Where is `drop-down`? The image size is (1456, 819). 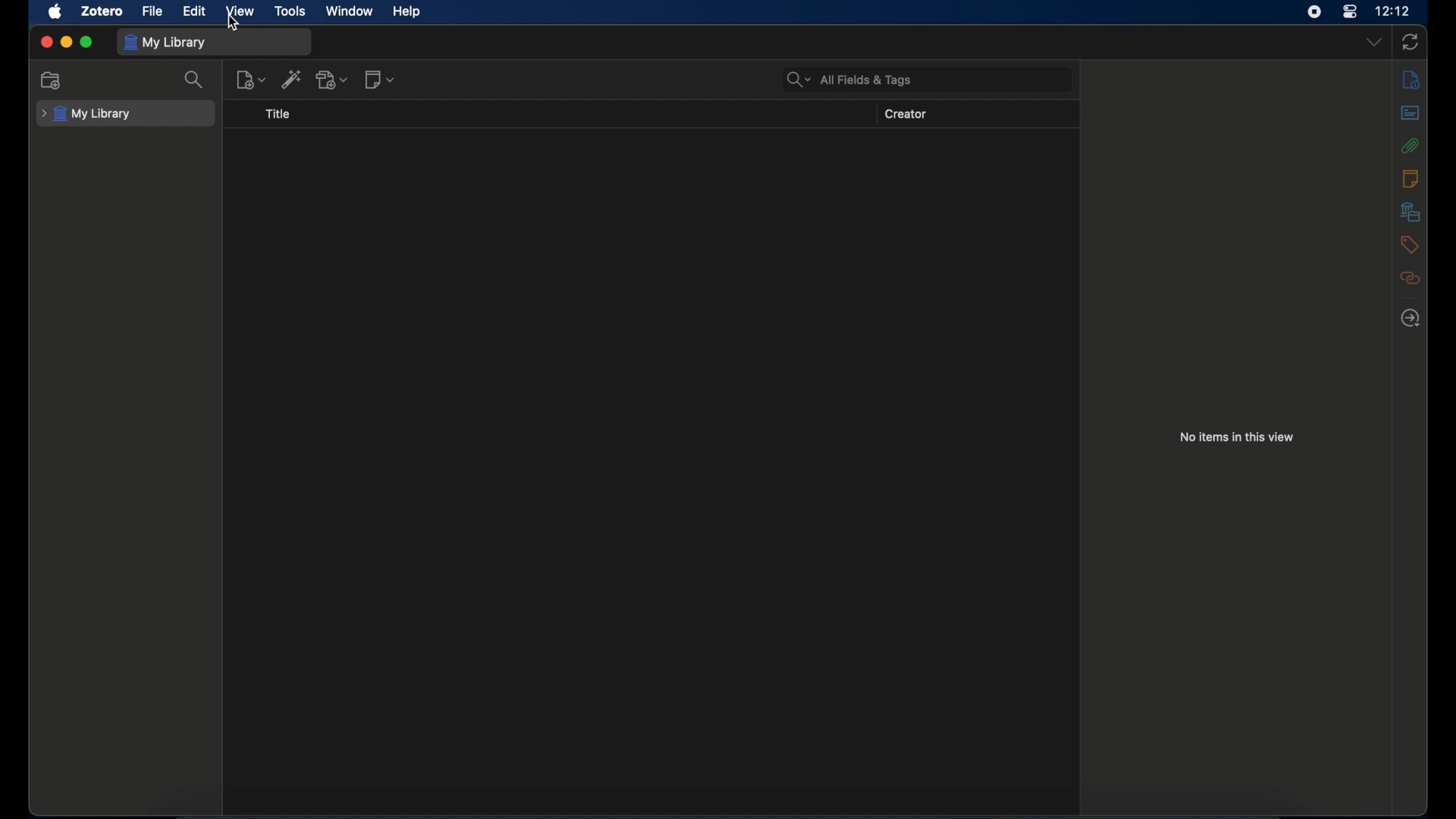 drop-down is located at coordinates (1375, 41).